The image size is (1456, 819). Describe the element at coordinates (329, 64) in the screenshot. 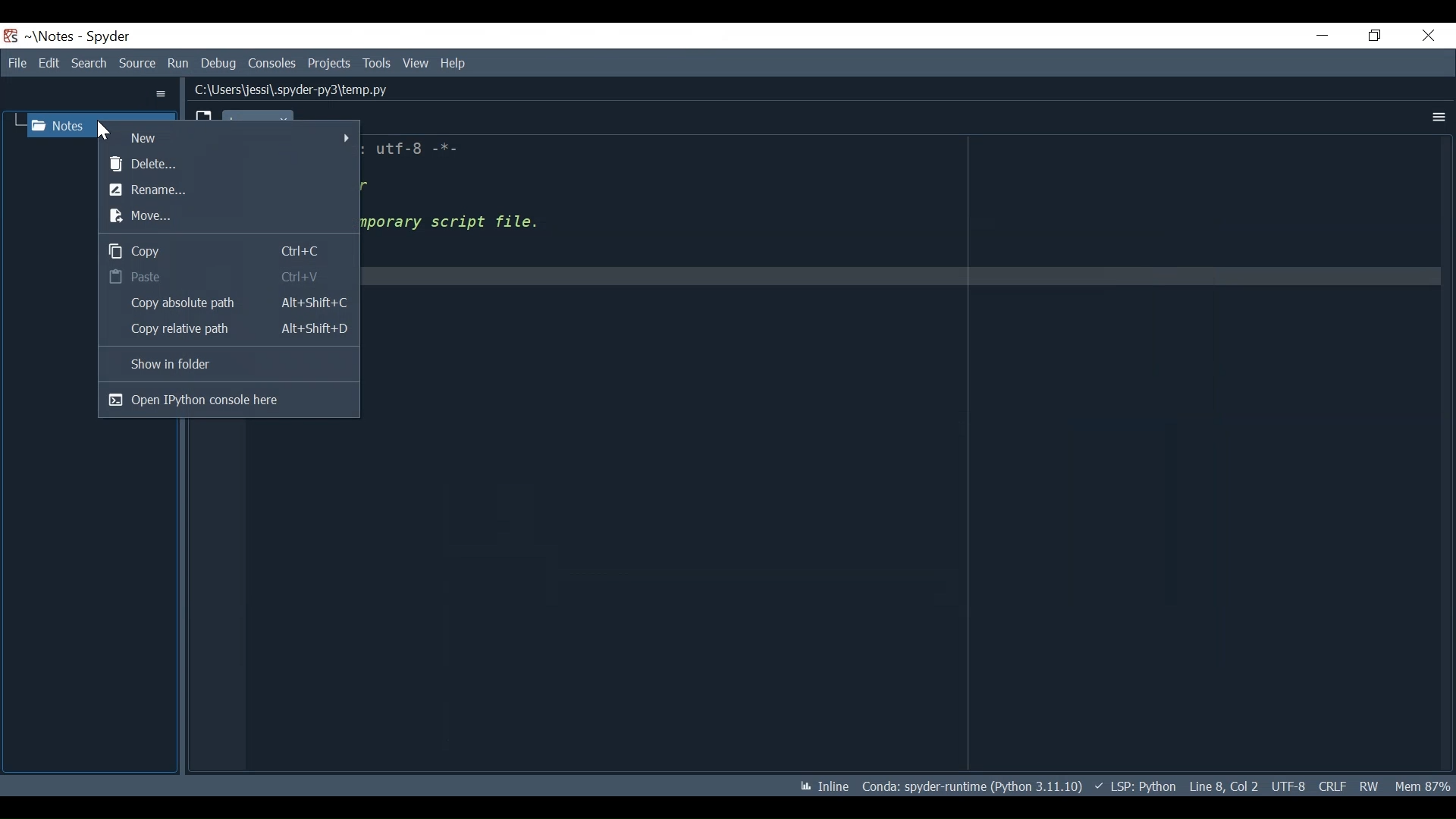

I see `Projects` at that location.